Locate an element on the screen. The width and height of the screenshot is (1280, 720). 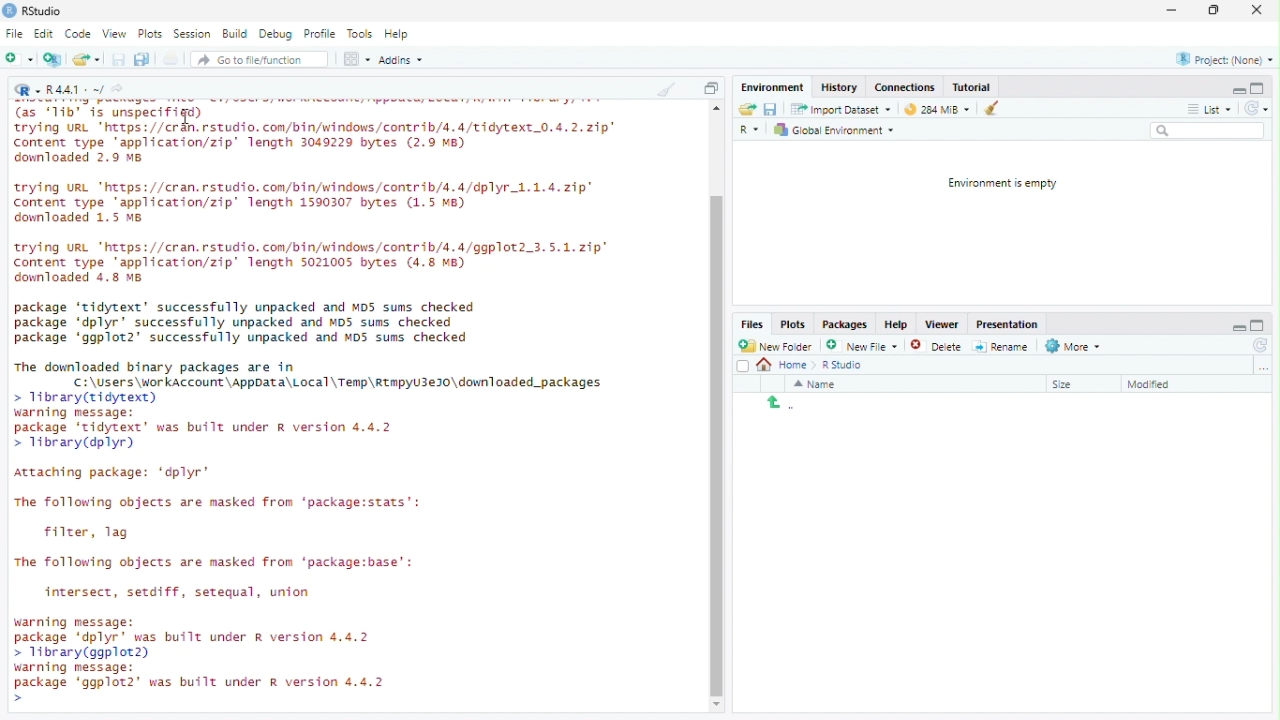
Presentation is located at coordinates (1007, 325).